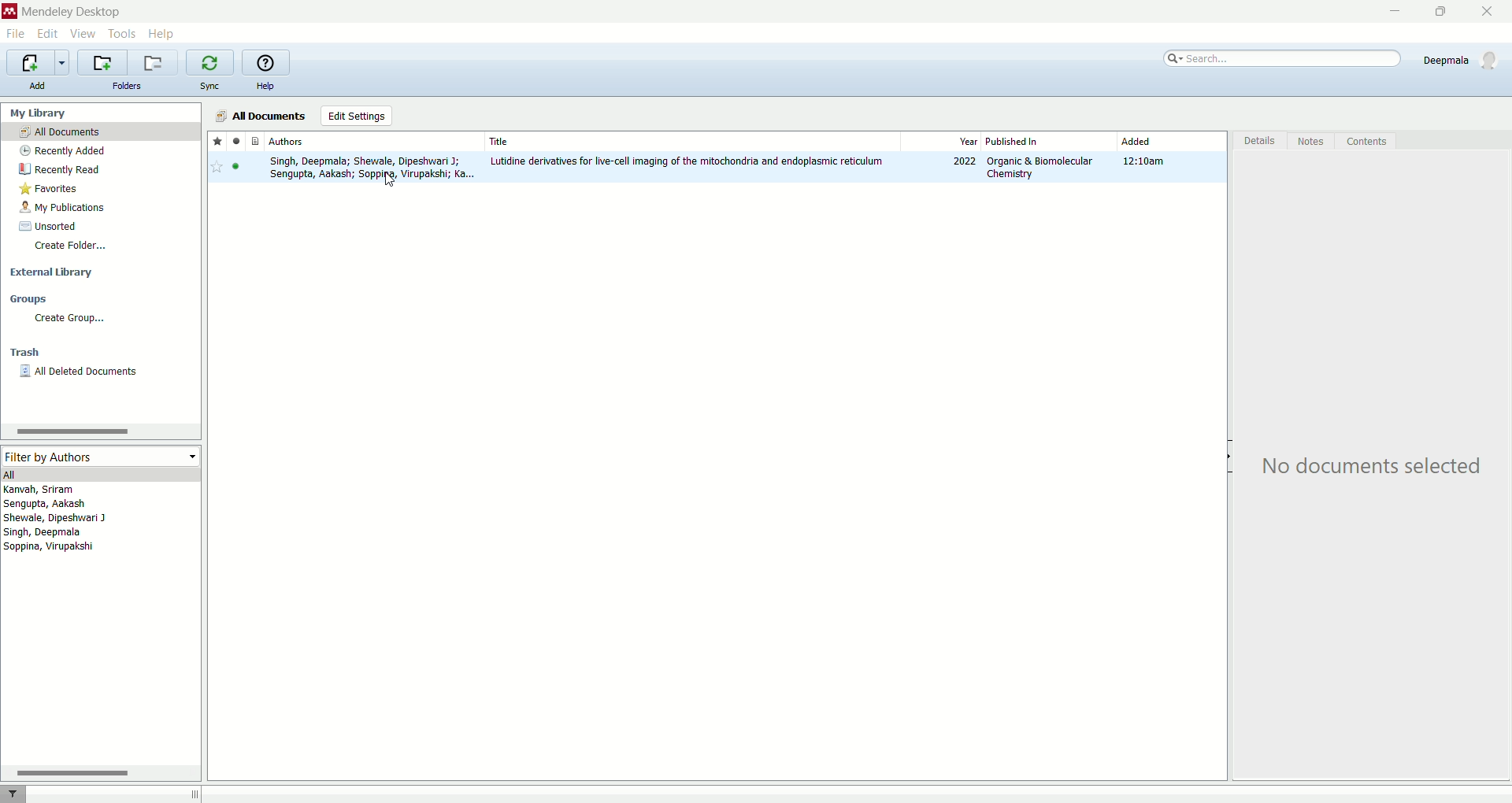 This screenshot has height=803, width=1512. Describe the element at coordinates (102, 112) in the screenshot. I see `My Library` at that location.